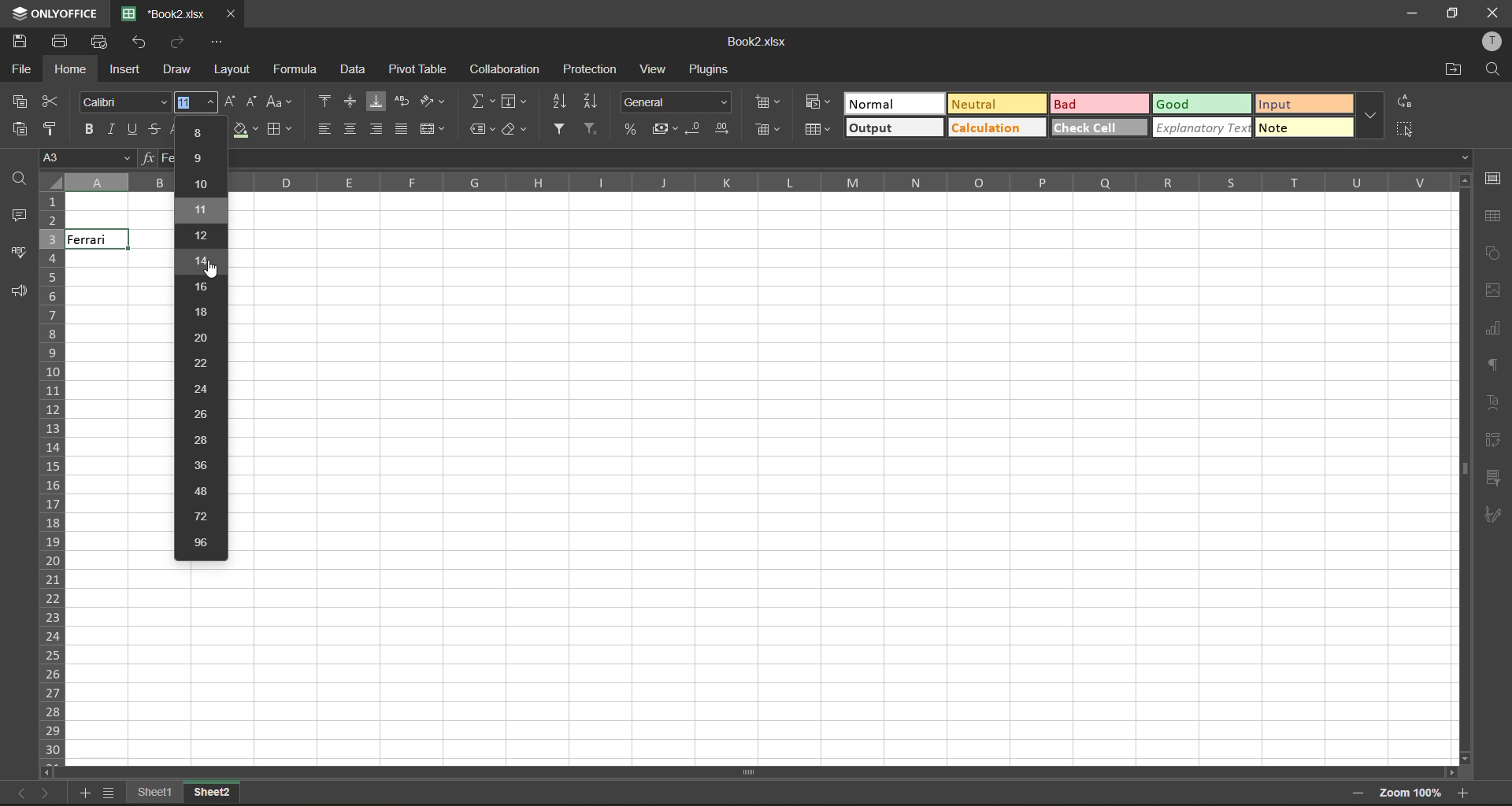 The image size is (1512, 806). I want to click on images, so click(1494, 290).